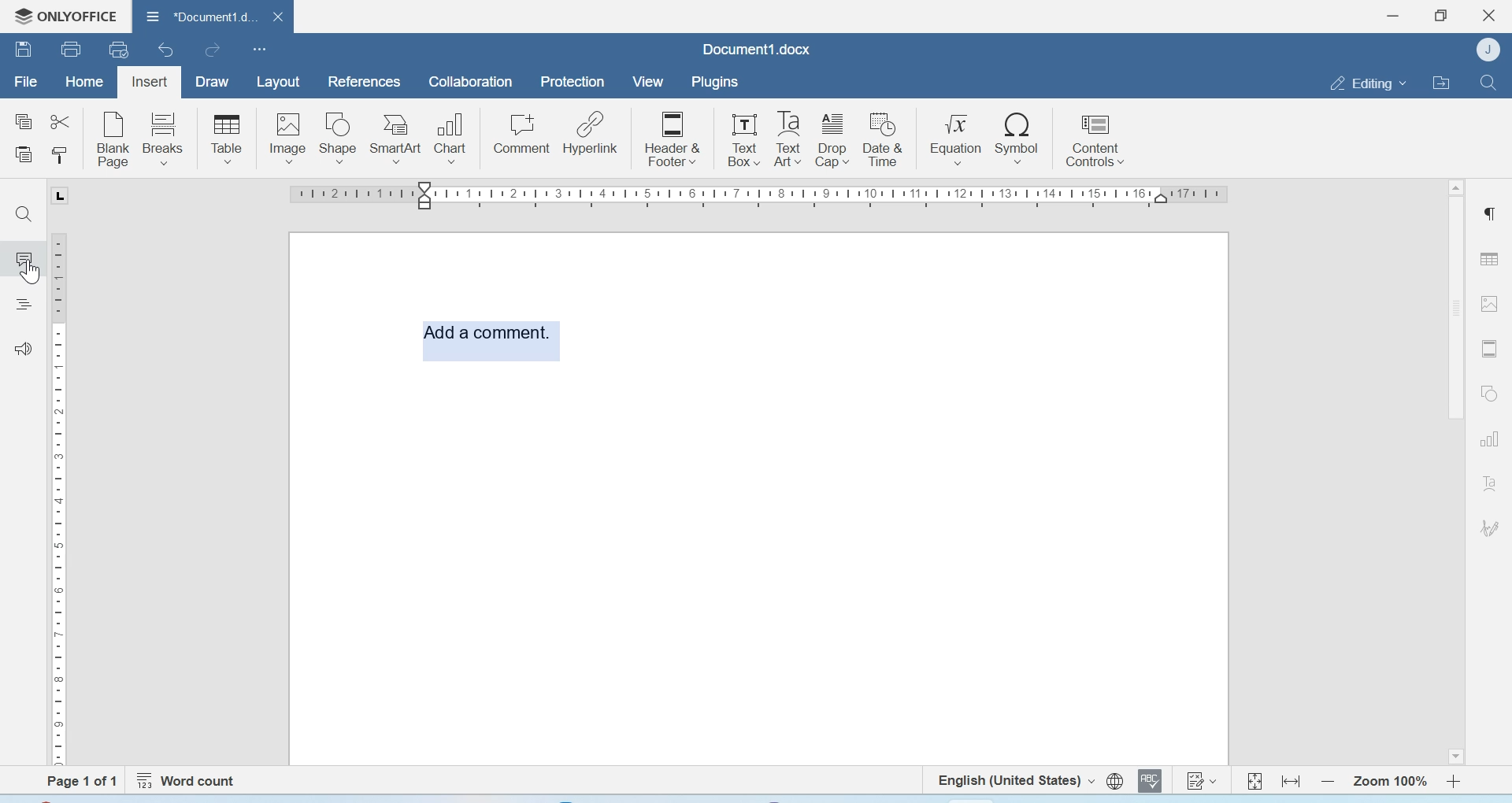 The image size is (1512, 803). What do you see at coordinates (287, 138) in the screenshot?
I see `Image` at bounding box center [287, 138].